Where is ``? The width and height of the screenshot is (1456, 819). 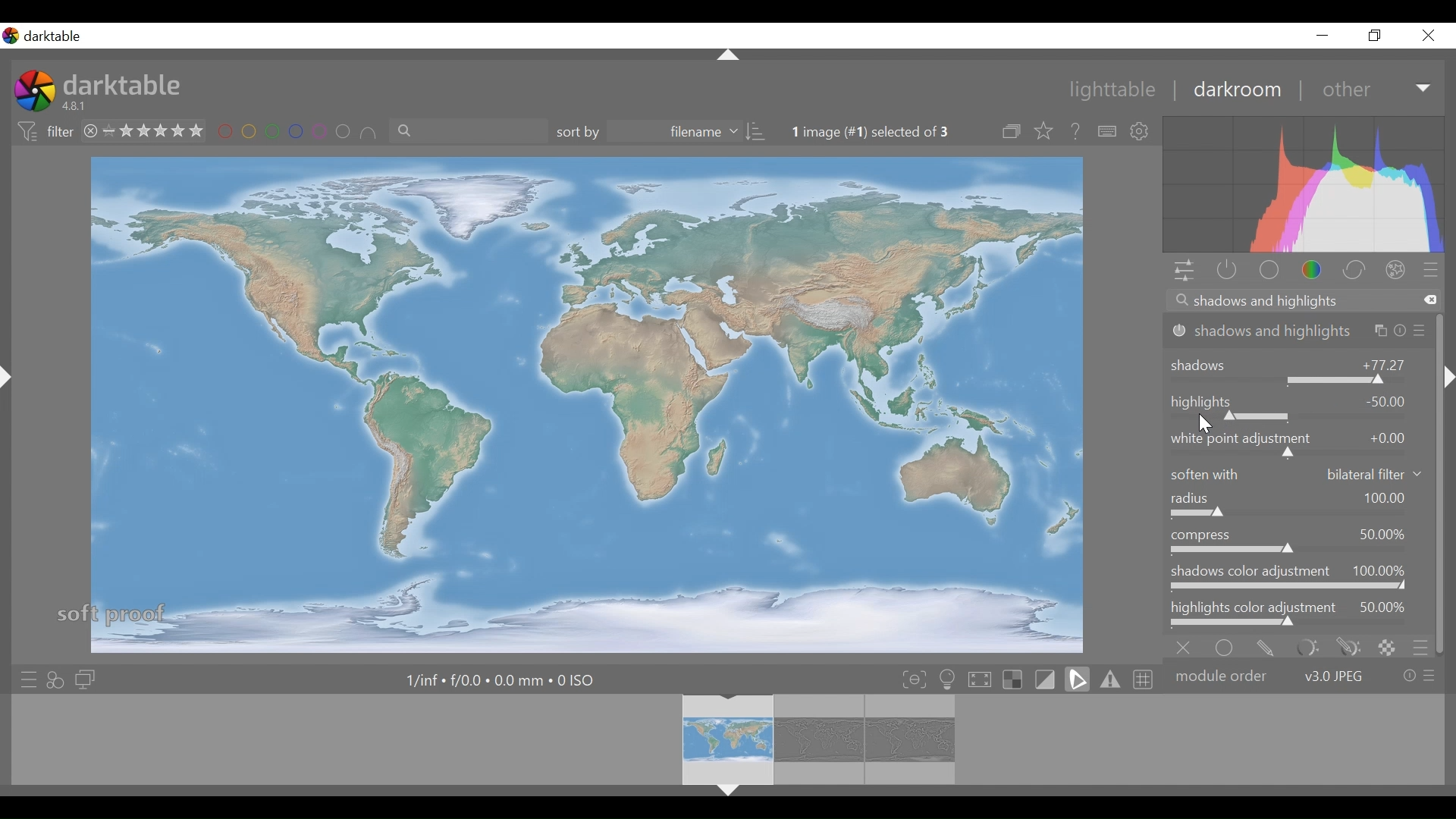
 is located at coordinates (8, 388).